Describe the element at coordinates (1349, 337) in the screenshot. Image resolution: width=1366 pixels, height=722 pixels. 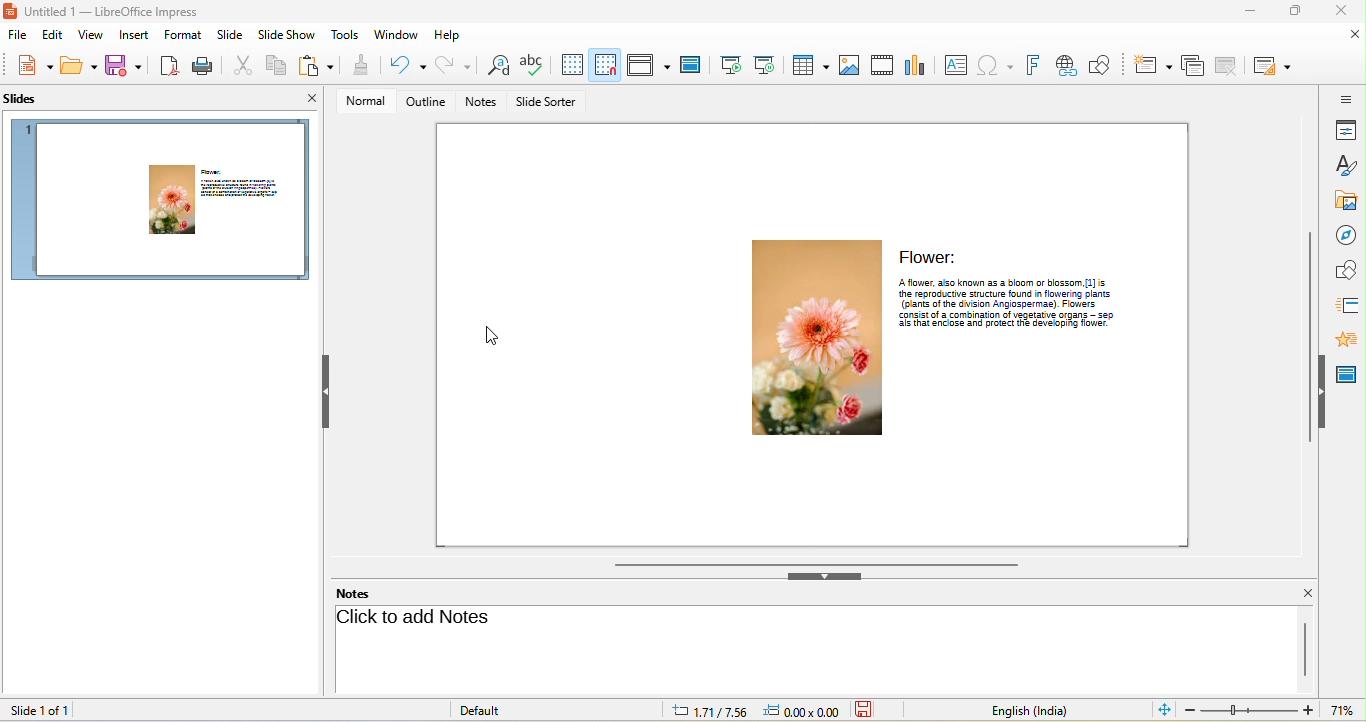
I see `animation` at that location.